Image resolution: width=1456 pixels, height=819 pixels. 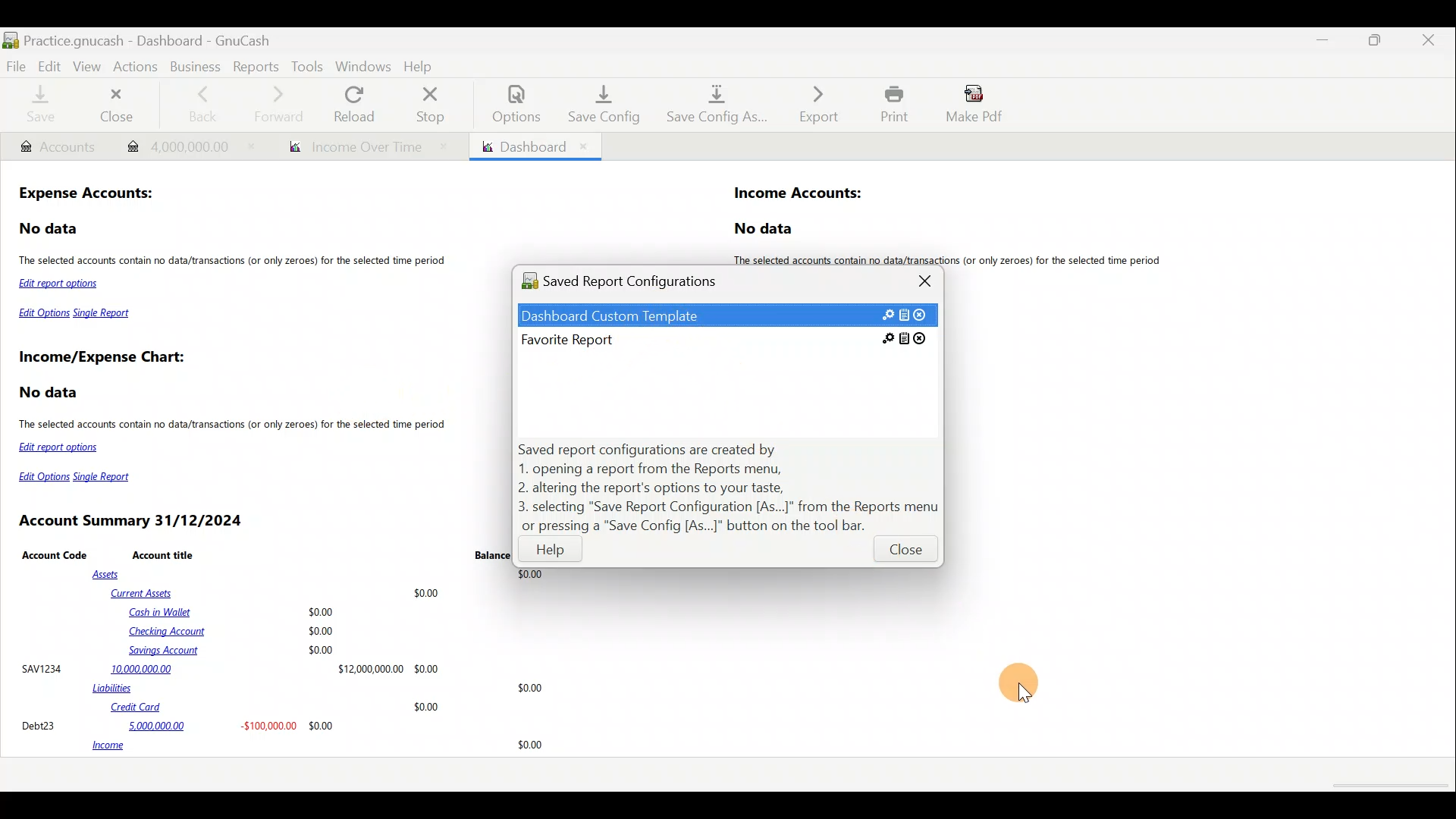 I want to click on Business, so click(x=195, y=65).